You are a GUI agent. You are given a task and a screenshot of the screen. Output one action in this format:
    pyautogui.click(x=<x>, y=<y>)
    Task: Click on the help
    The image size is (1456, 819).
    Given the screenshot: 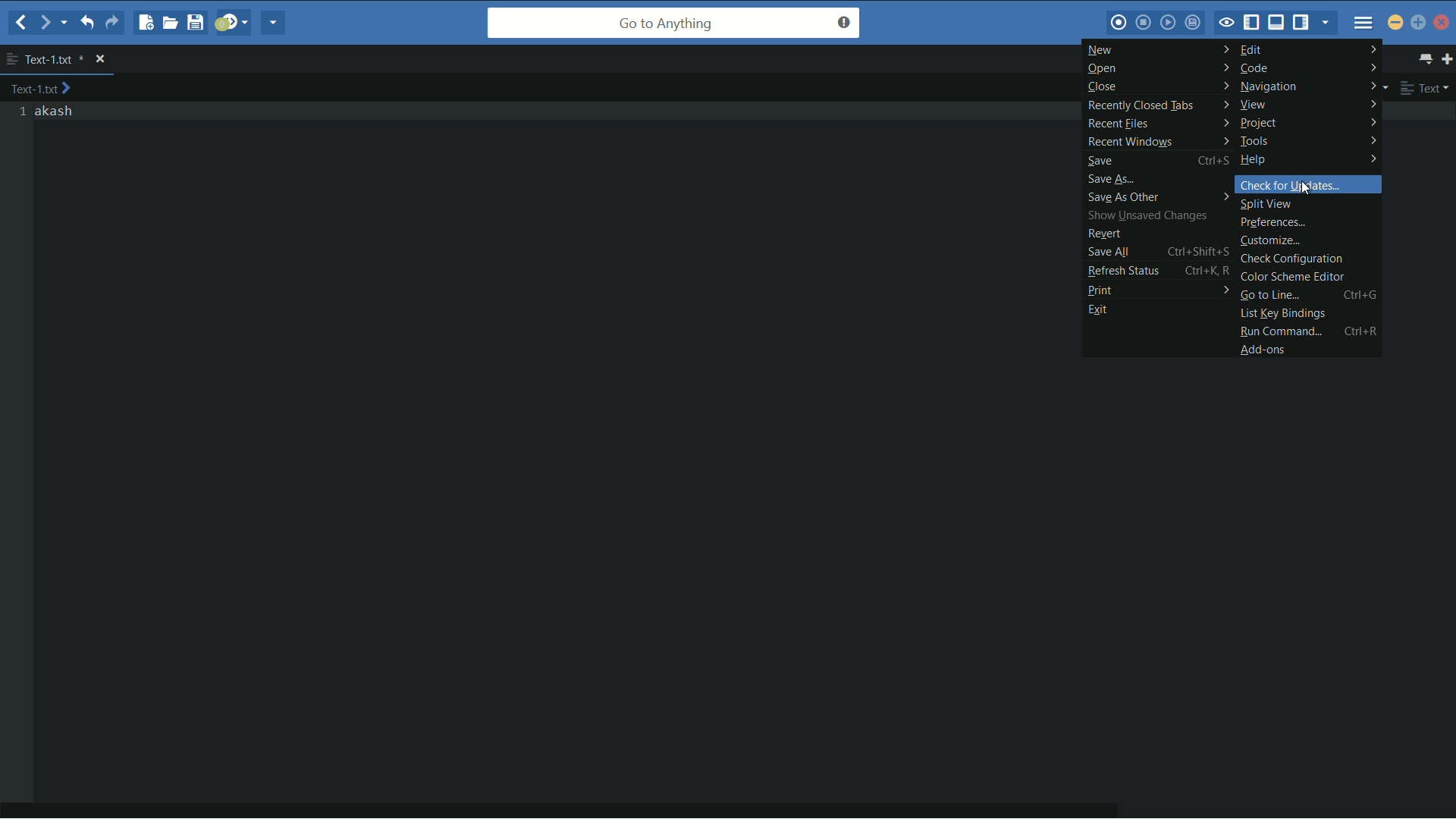 What is the action you would take?
    pyautogui.click(x=1307, y=160)
    